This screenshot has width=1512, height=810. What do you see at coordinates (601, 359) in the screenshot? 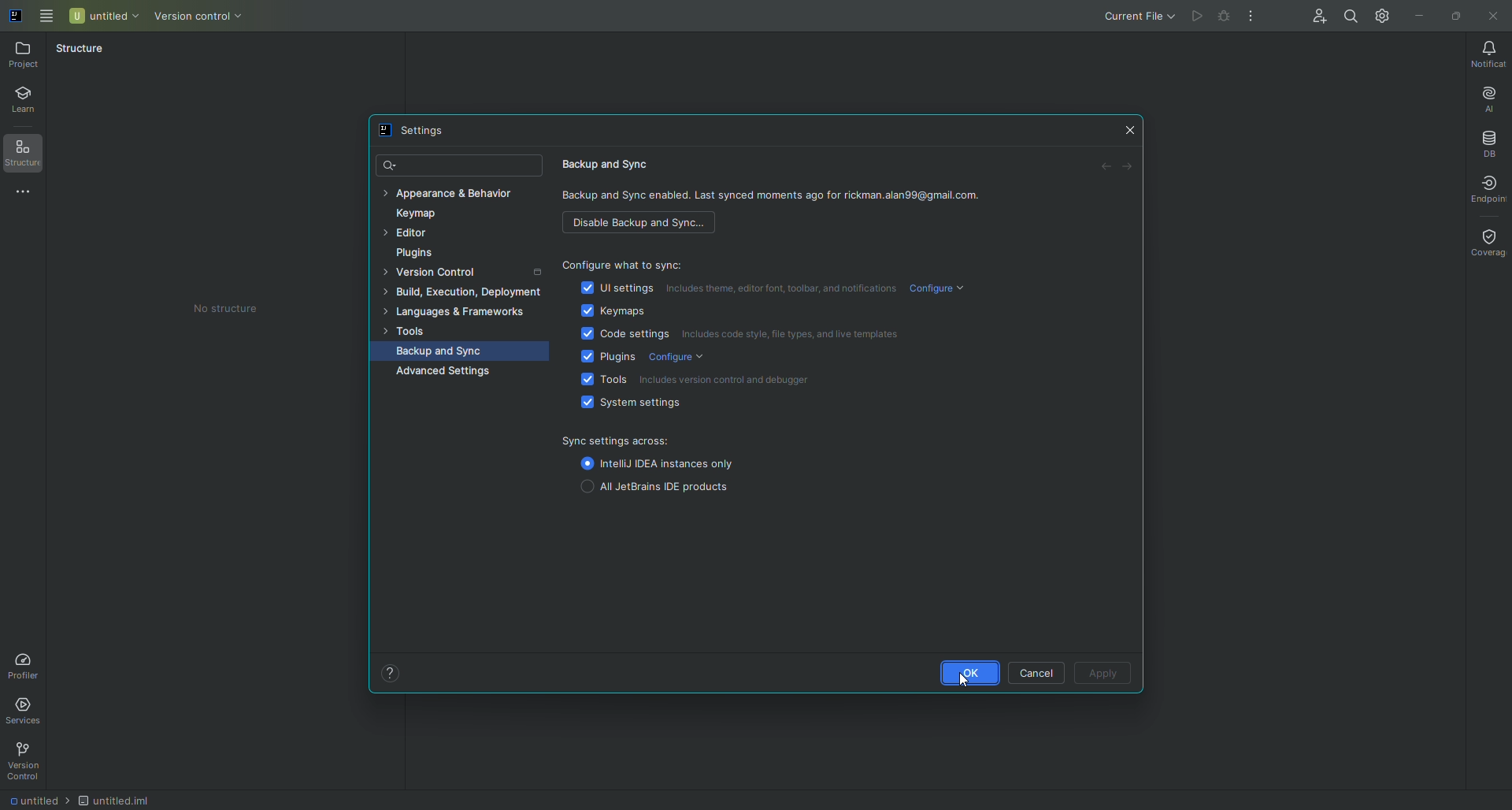
I see `Plugins` at bounding box center [601, 359].